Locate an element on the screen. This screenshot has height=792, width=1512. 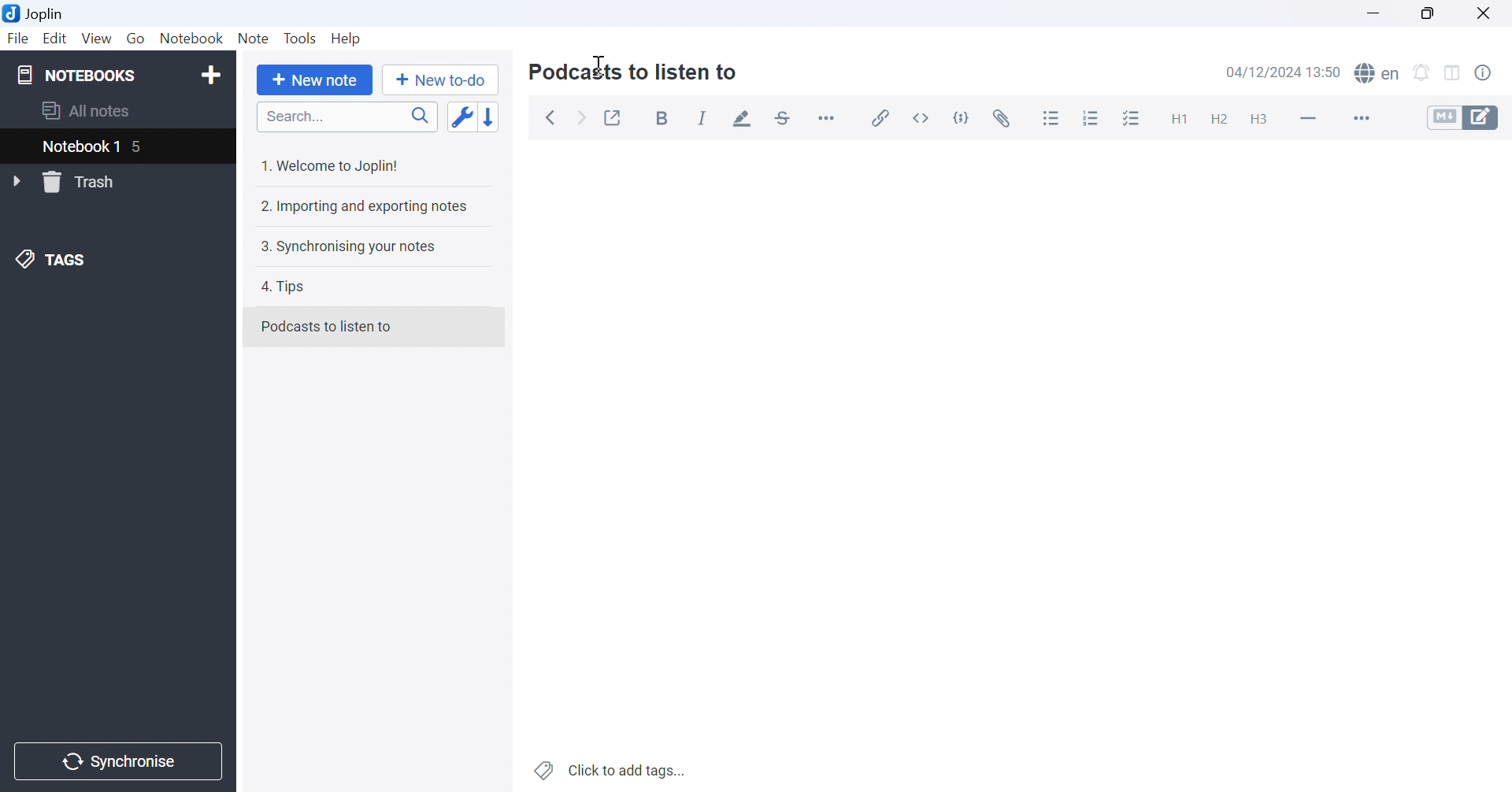
Bold is located at coordinates (665, 119).